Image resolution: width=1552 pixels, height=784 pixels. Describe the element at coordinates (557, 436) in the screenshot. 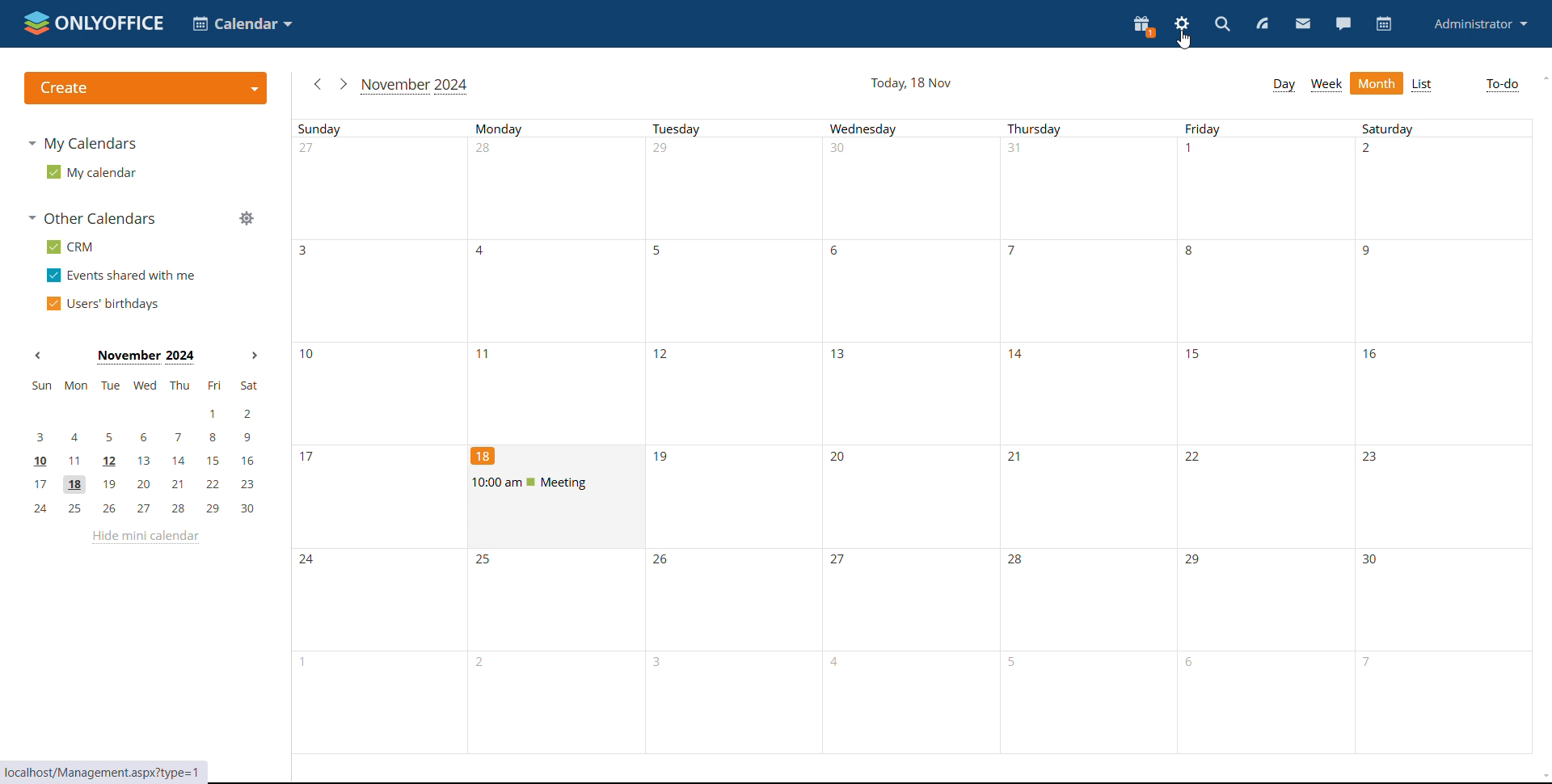

I see `Monday` at that location.